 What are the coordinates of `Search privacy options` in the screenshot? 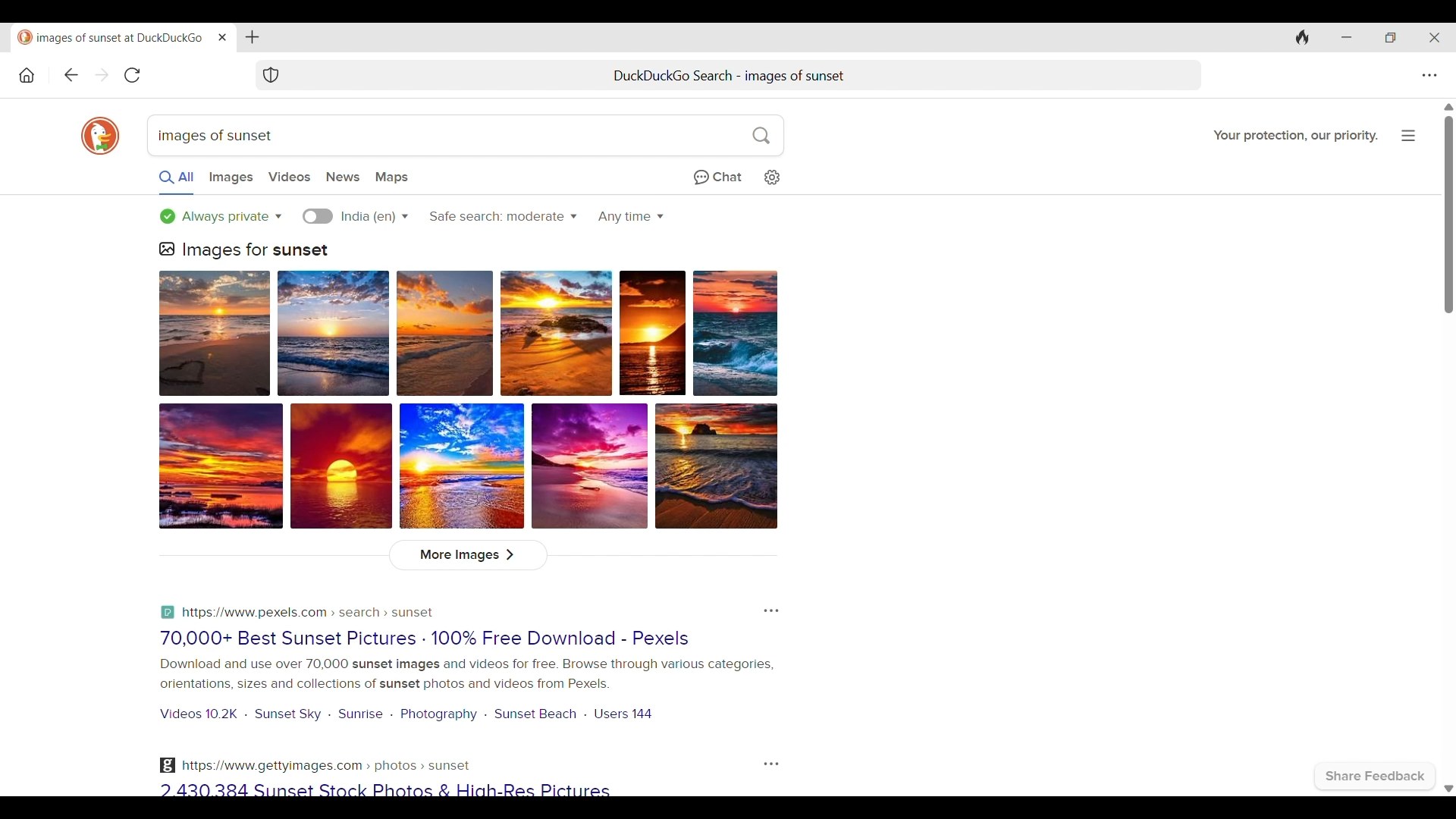 It's located at (221, 217).